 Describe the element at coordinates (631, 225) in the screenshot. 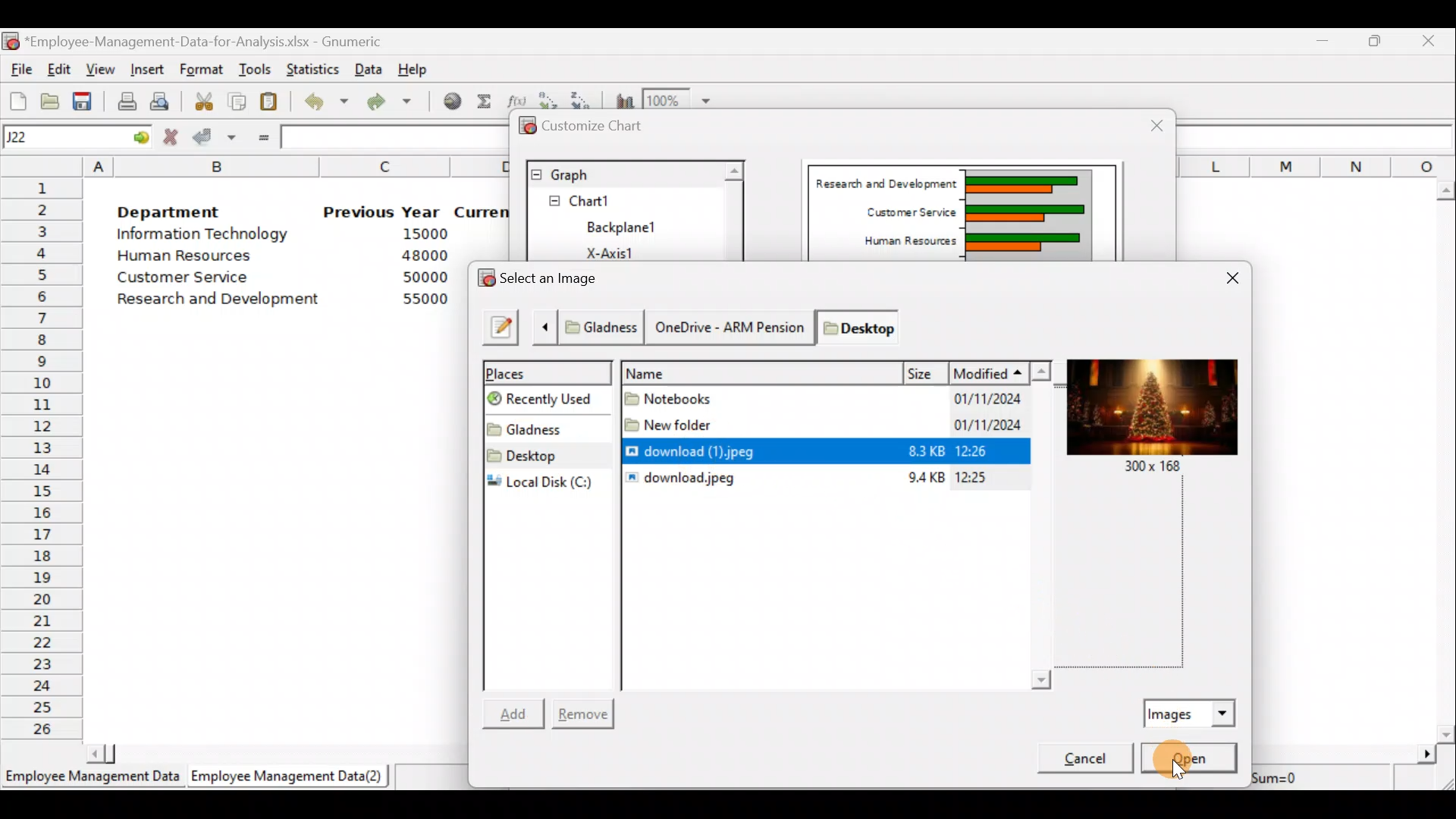

I see `BackPlane1` at that location.